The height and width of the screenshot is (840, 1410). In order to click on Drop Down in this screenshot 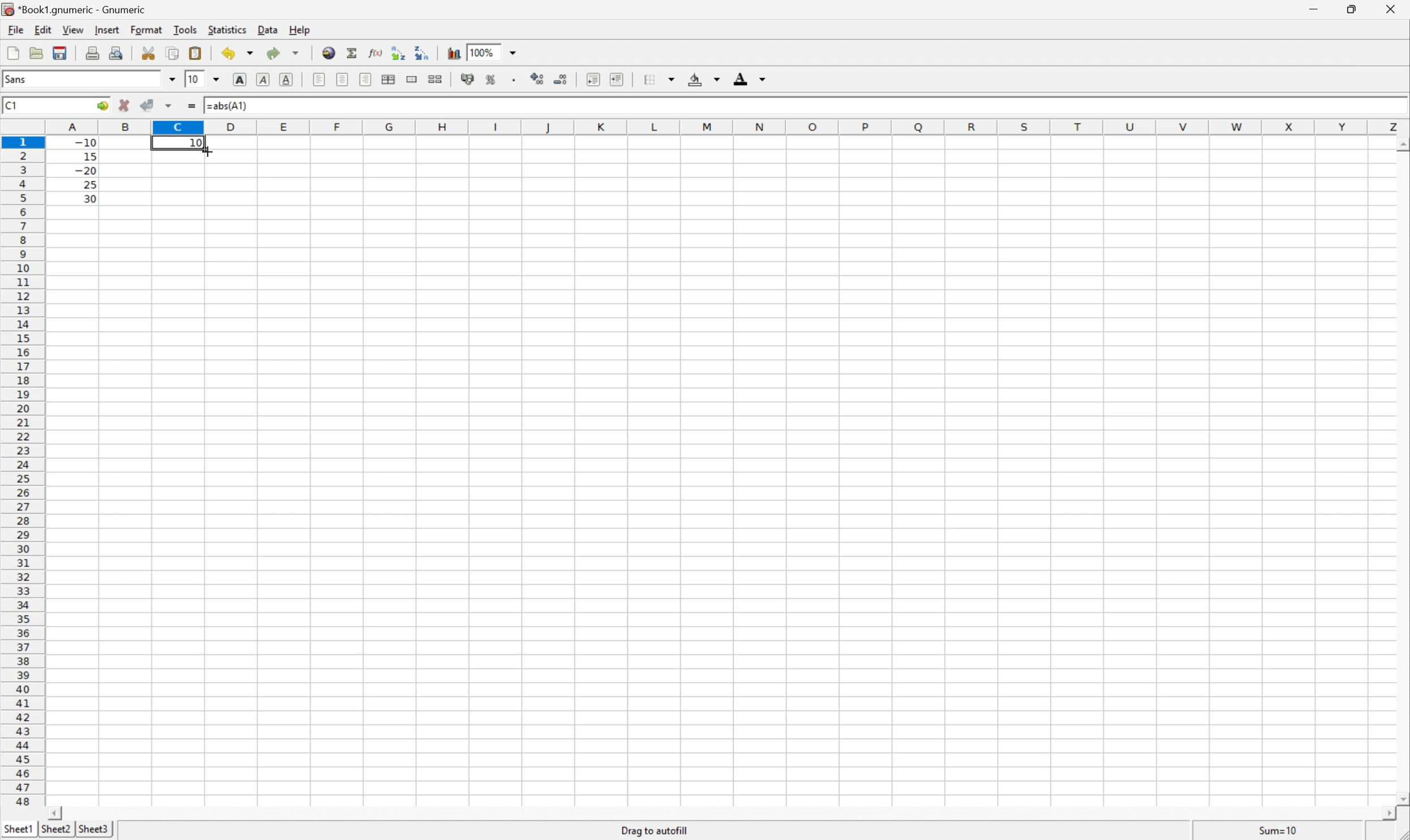, I will do `click(674, 77)`.